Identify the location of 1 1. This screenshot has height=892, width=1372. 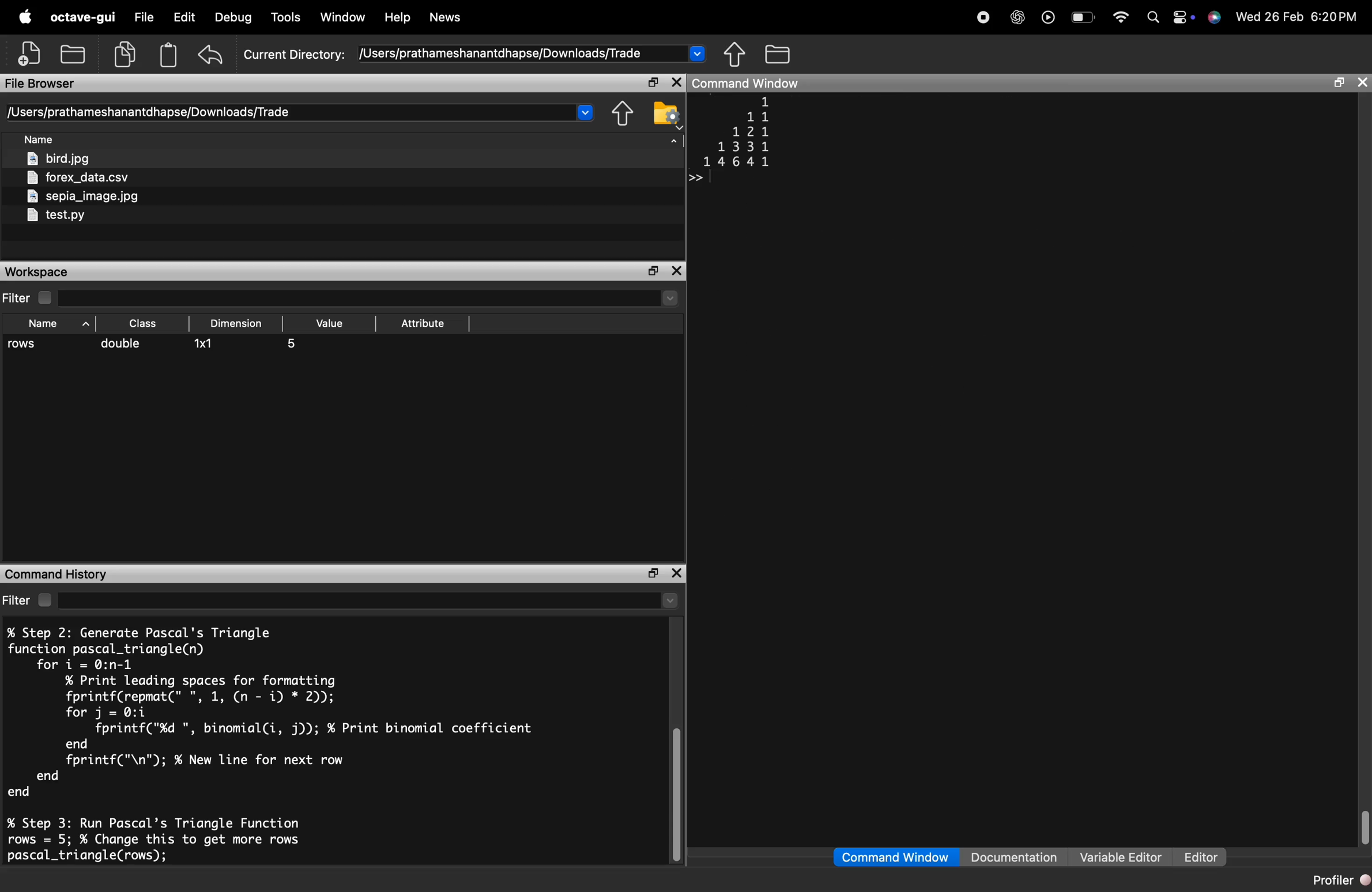
(759, 116).